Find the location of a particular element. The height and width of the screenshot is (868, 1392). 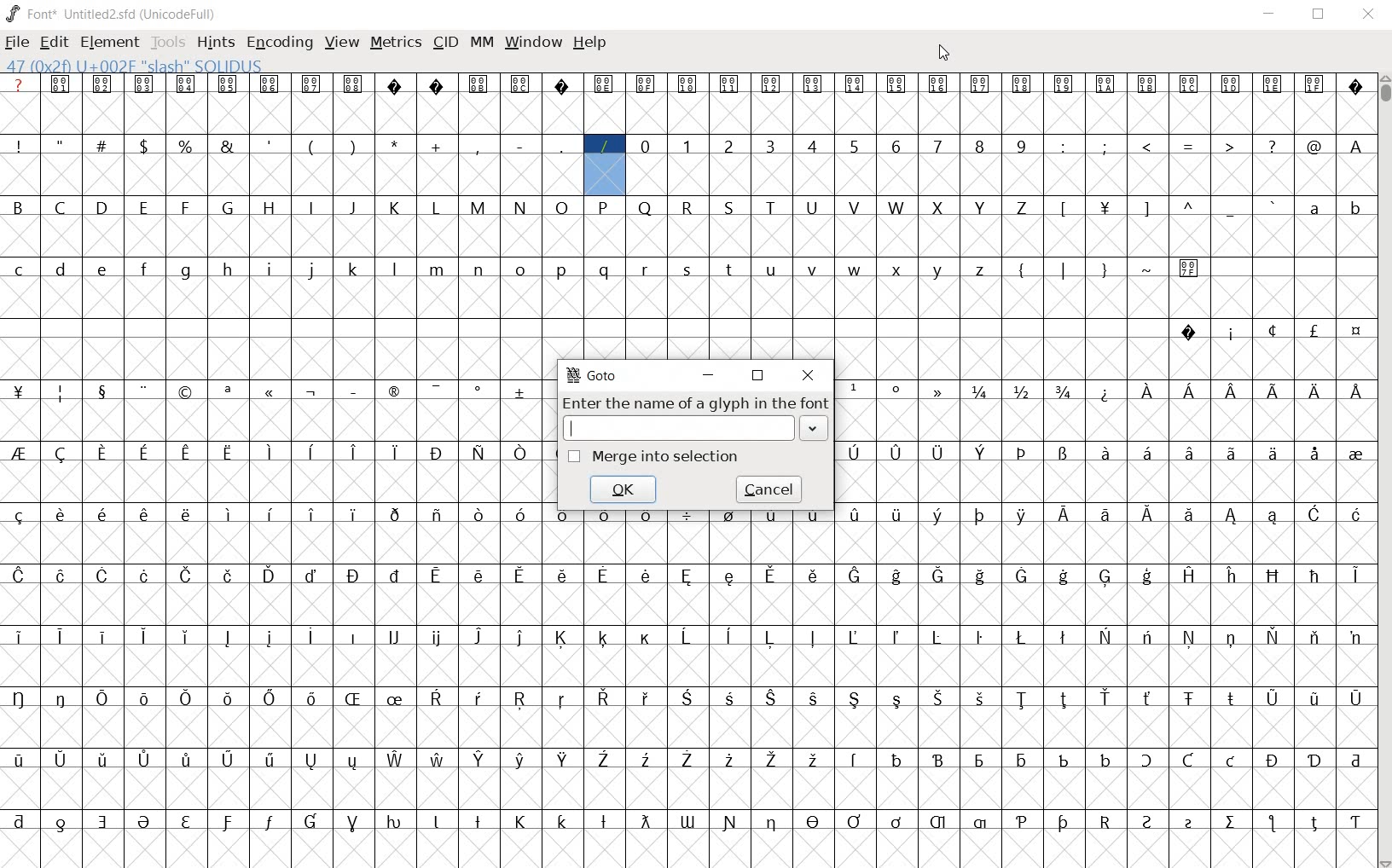

glyph is located at coordinates (478, 208).